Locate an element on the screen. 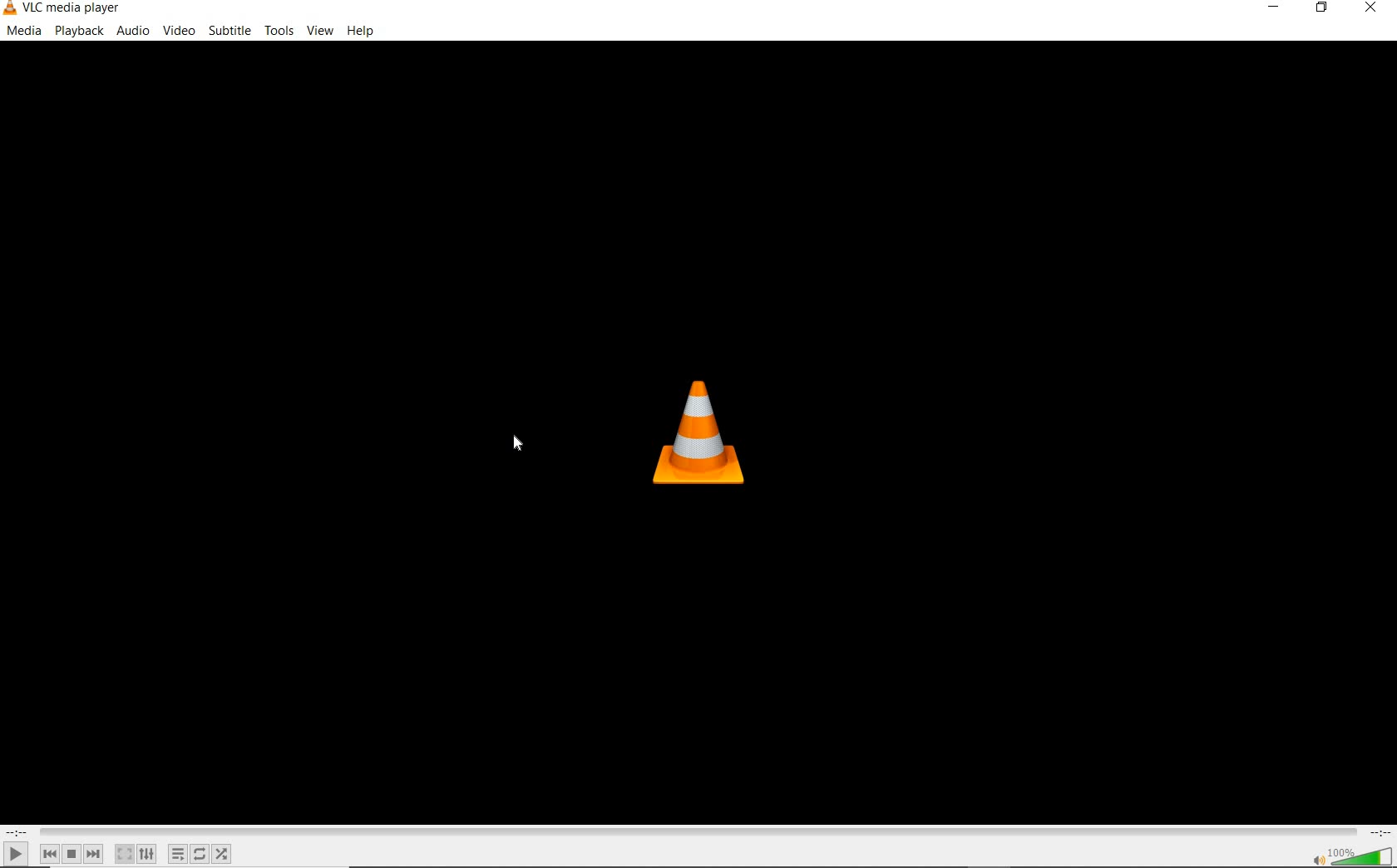  toggle the video in fullscreen is located at coordinates (124, 854).